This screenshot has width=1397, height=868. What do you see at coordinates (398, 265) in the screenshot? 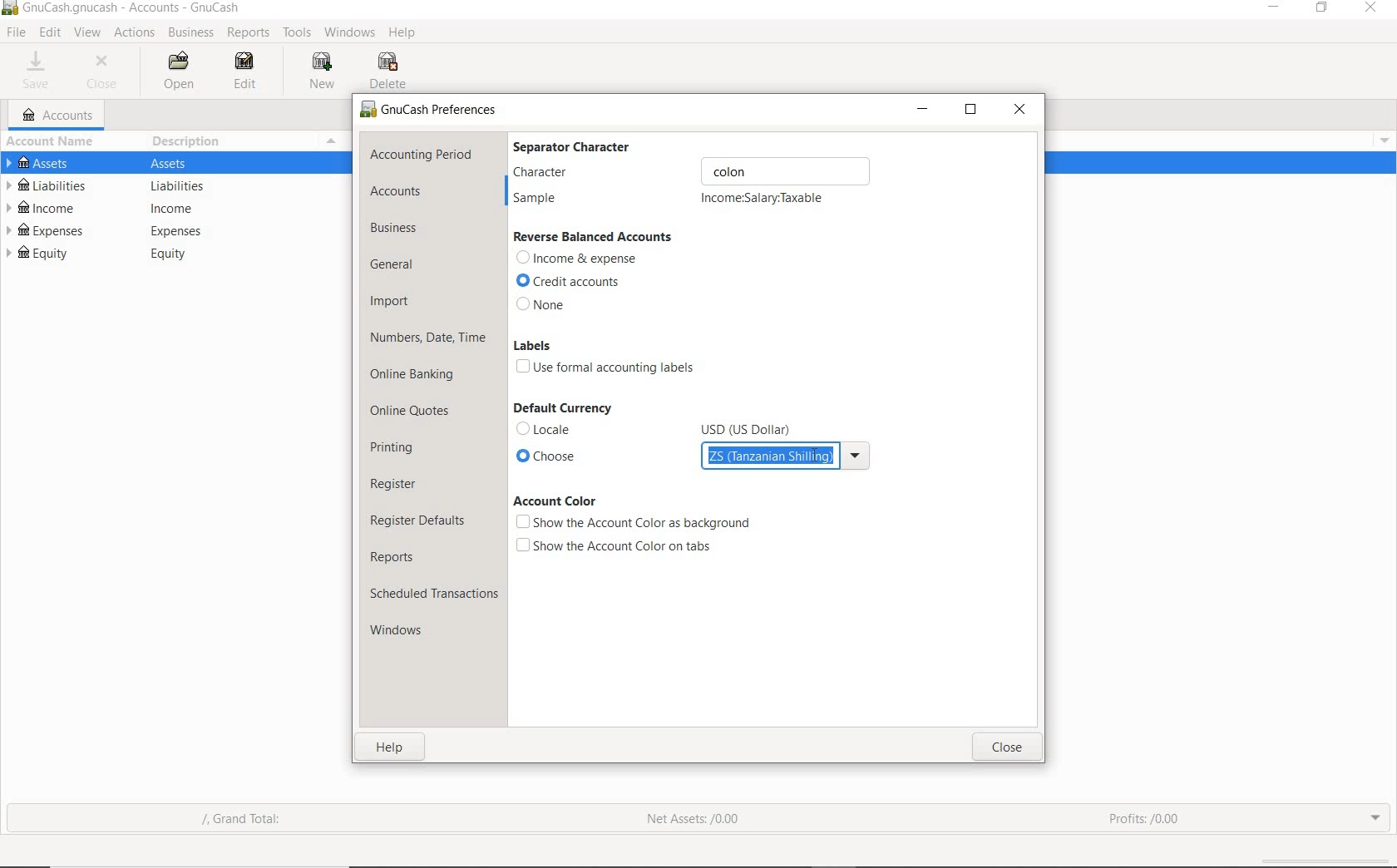
I see `general` at bounding box center [398, 265].